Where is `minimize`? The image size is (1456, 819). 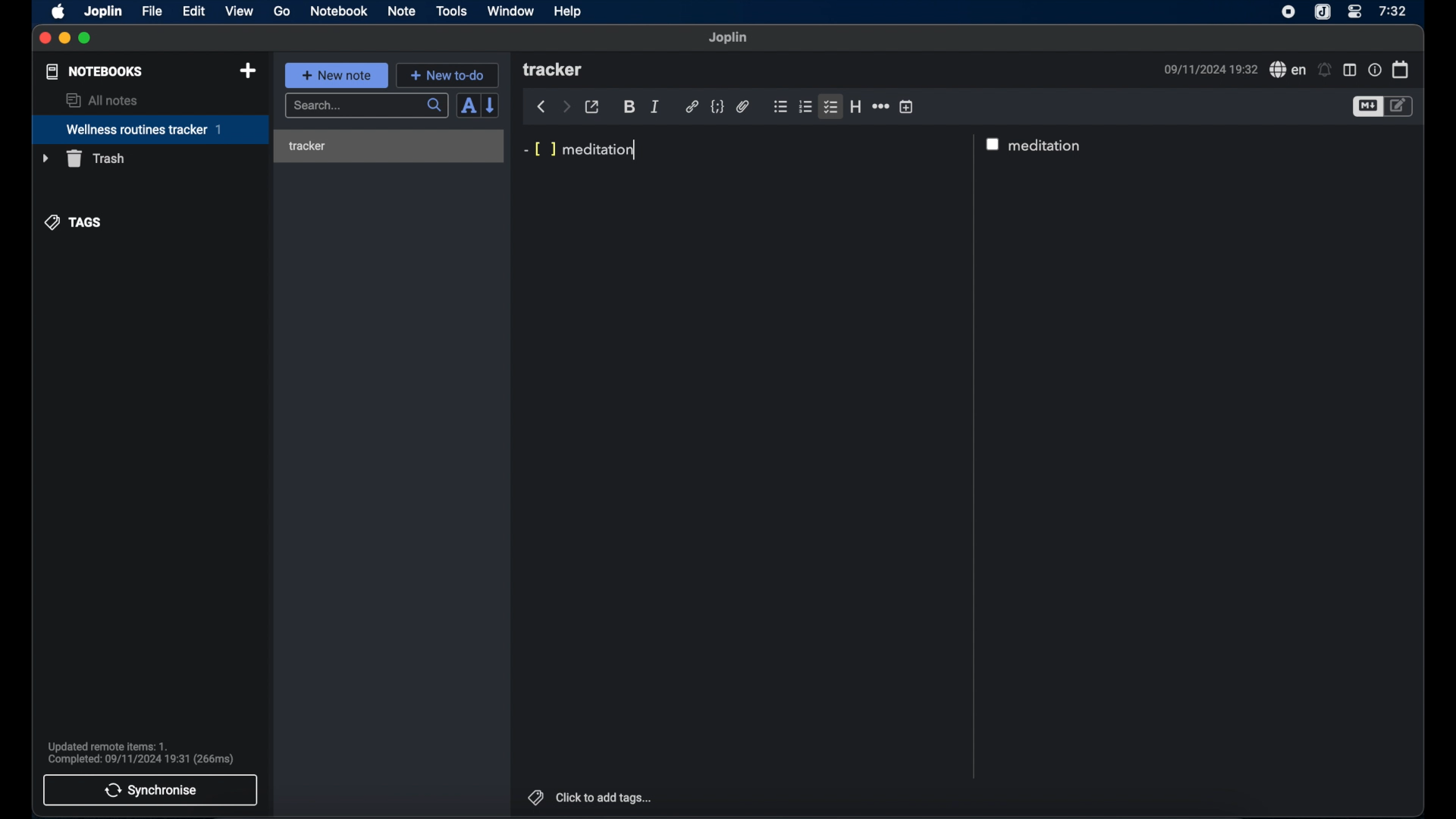
minimize is located at coordinates (65, 39).